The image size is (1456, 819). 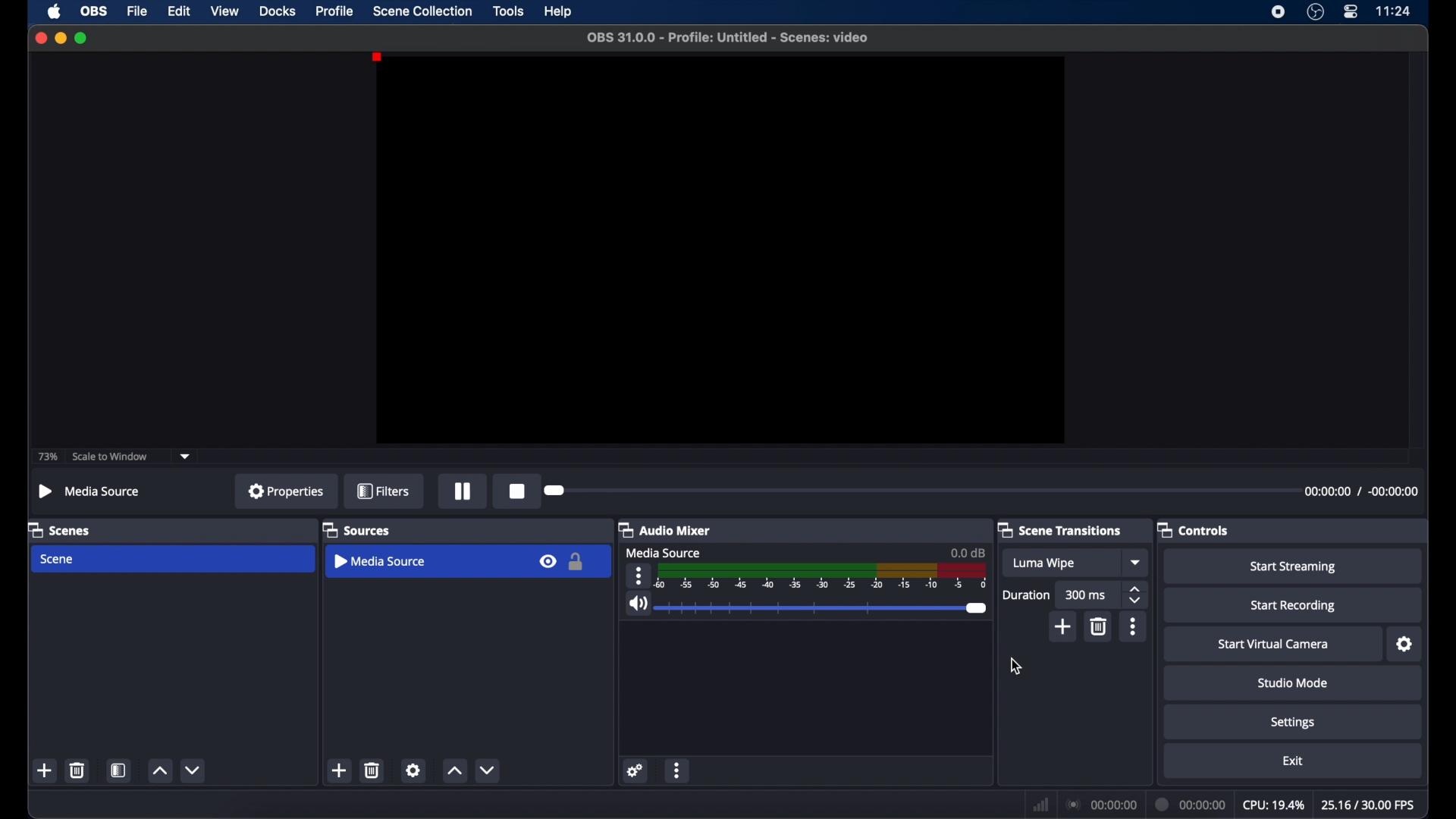 I want to click on add, so click(x=45, y=770).